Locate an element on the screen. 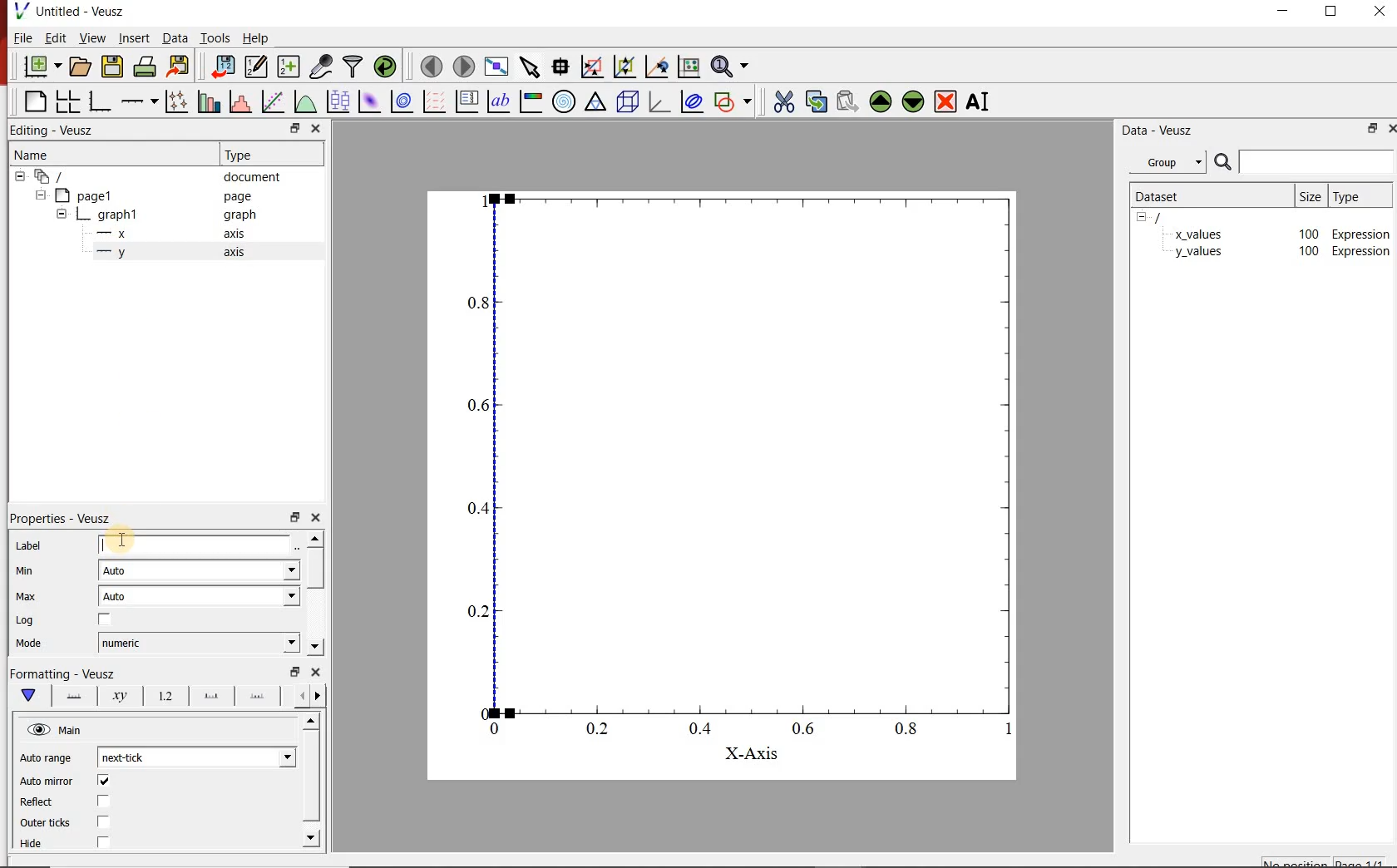  insert is located at coordinates (134, 37).